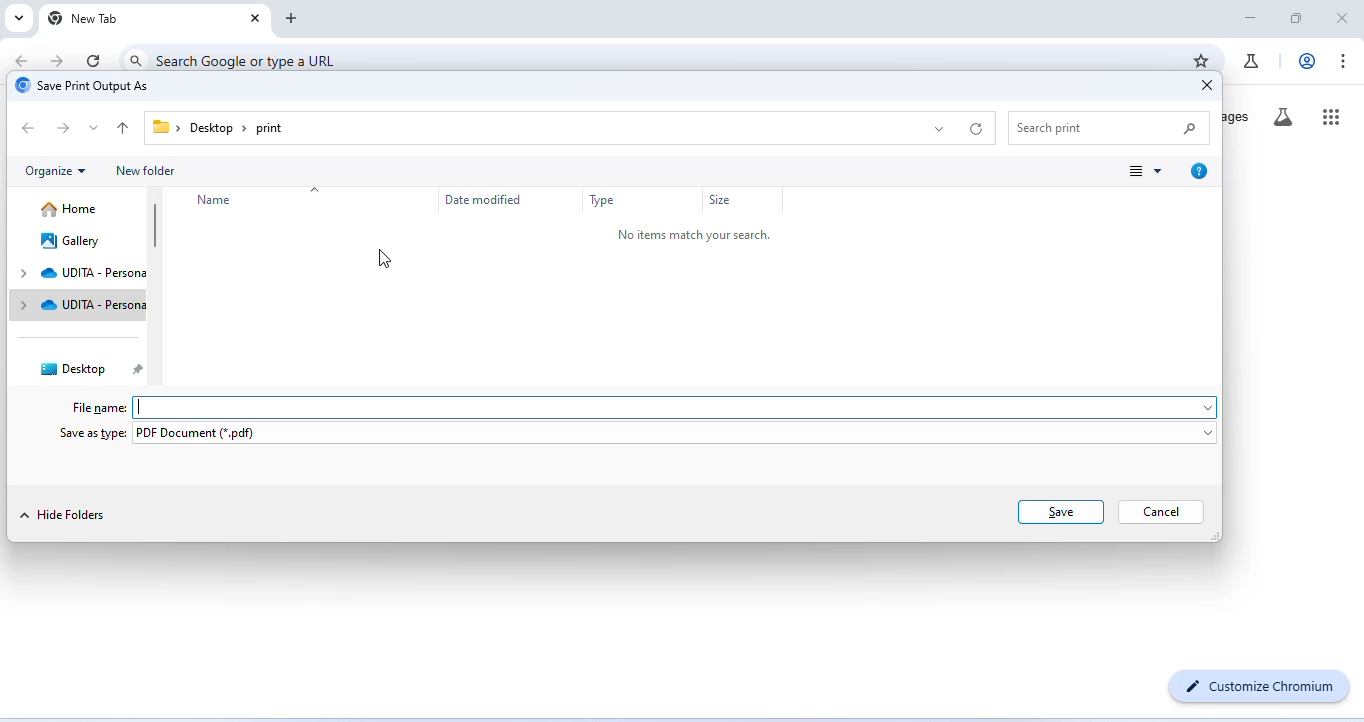 The height and width of the screenshot is (722, 1364). Describe the element at coordinates (1339, 17) in the screenshot. I see `close` at that location.